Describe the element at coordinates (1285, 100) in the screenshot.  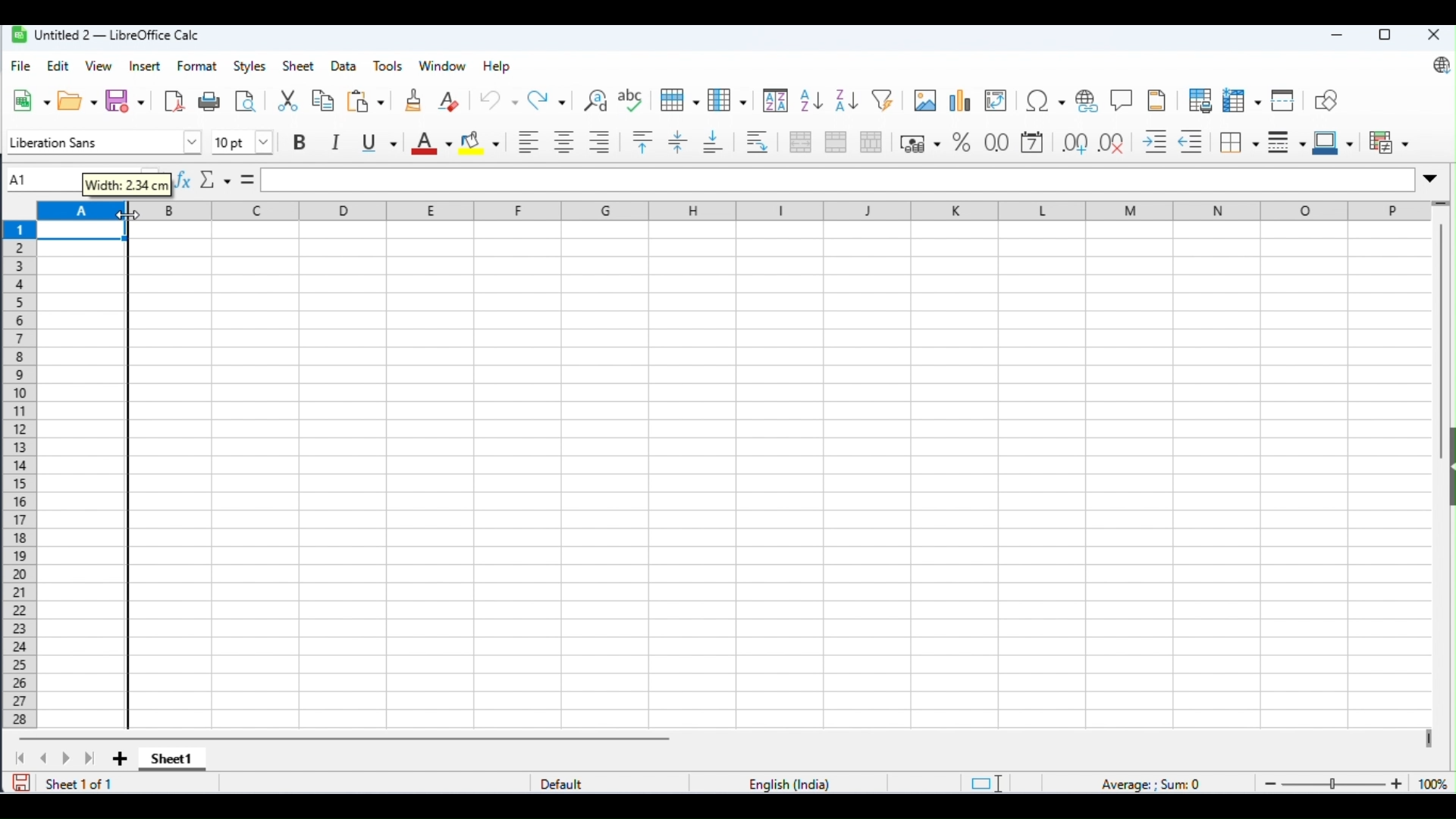
I see `split window` at that location.